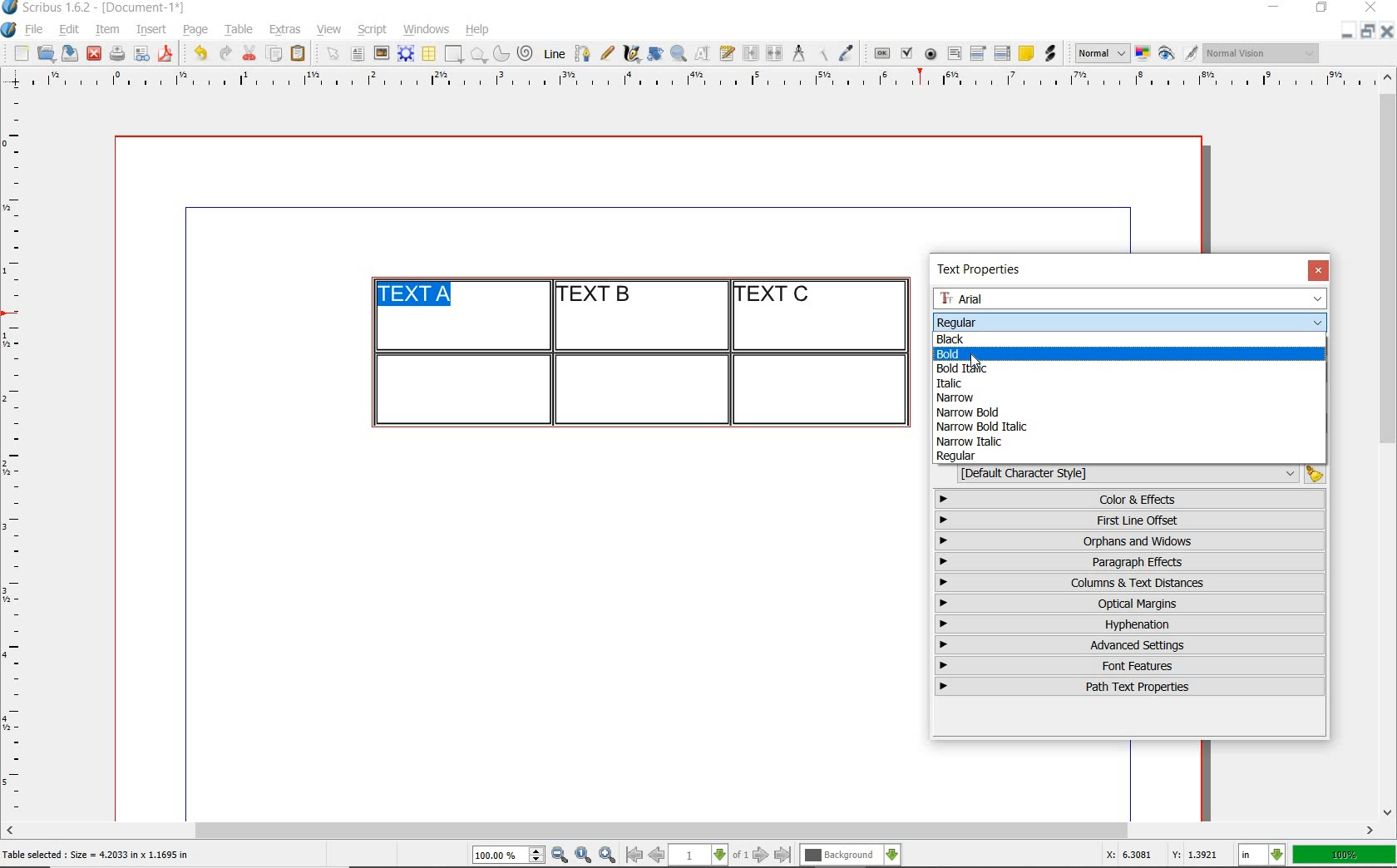  Describe the element at coordinates (357, 55) in the screenshot. I see `text frame` at that location.